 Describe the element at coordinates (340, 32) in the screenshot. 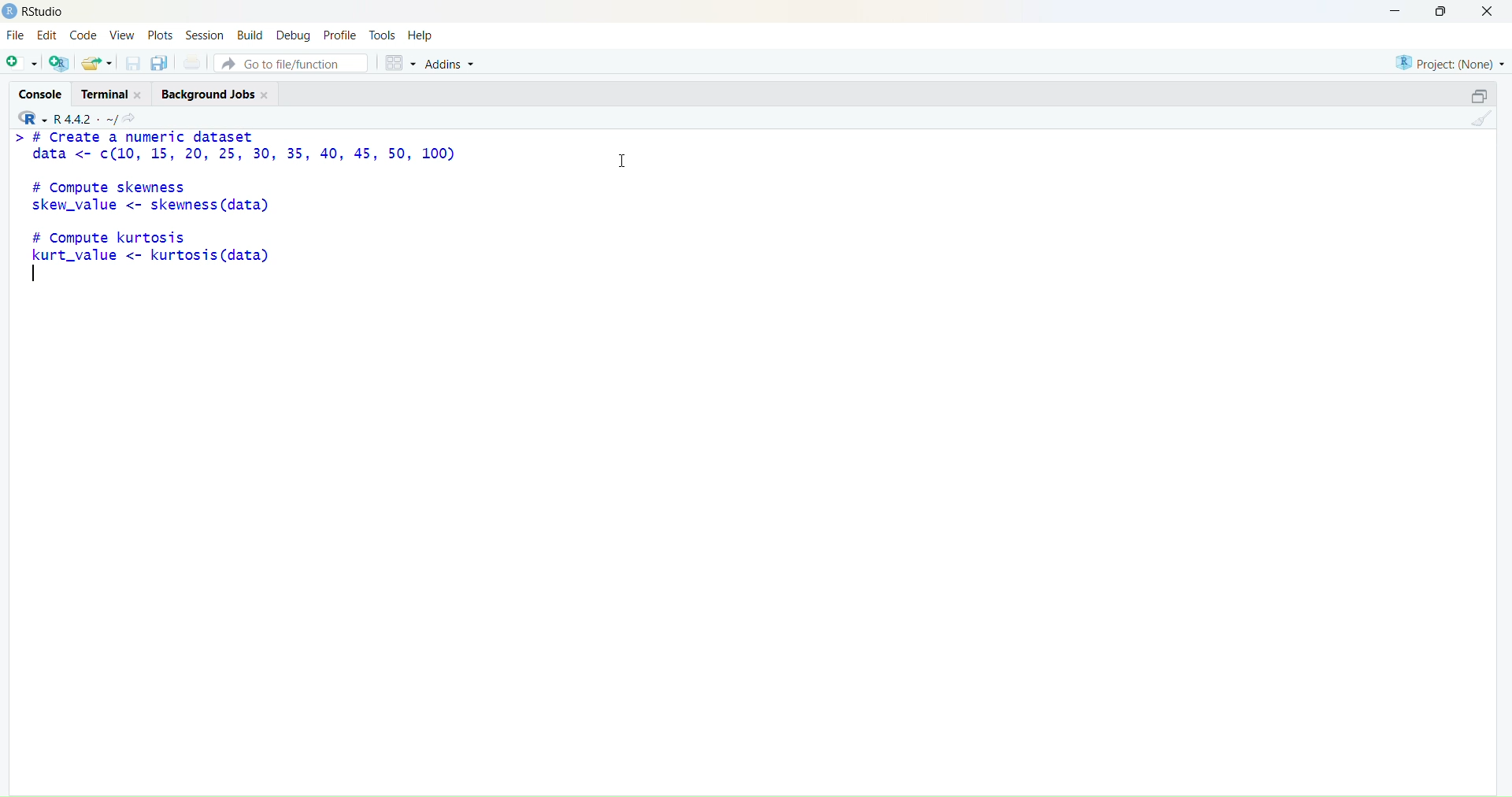

I see `Profile` at that location.